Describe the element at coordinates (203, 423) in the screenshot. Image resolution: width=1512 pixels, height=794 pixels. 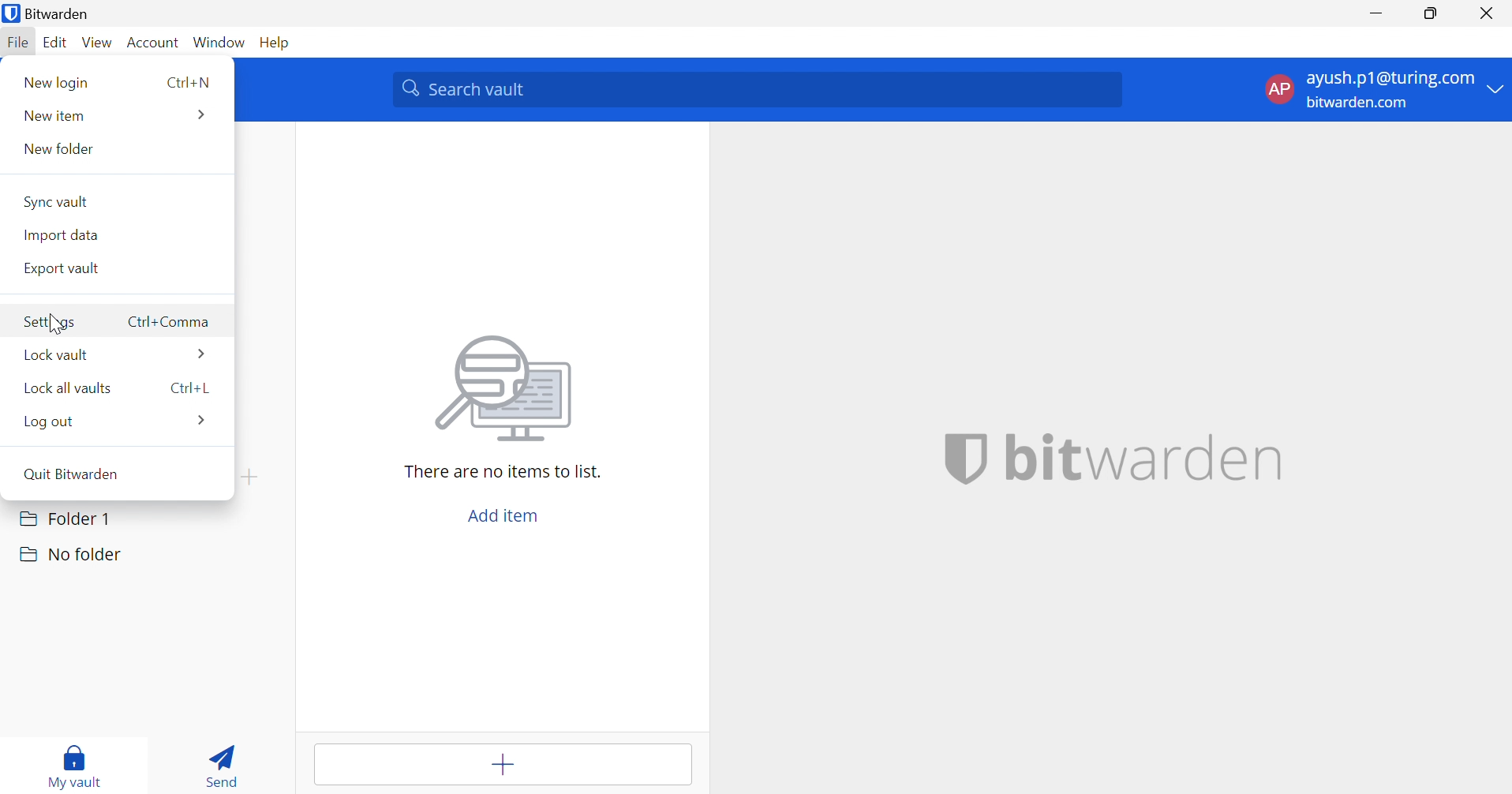
I see `More` at that location.